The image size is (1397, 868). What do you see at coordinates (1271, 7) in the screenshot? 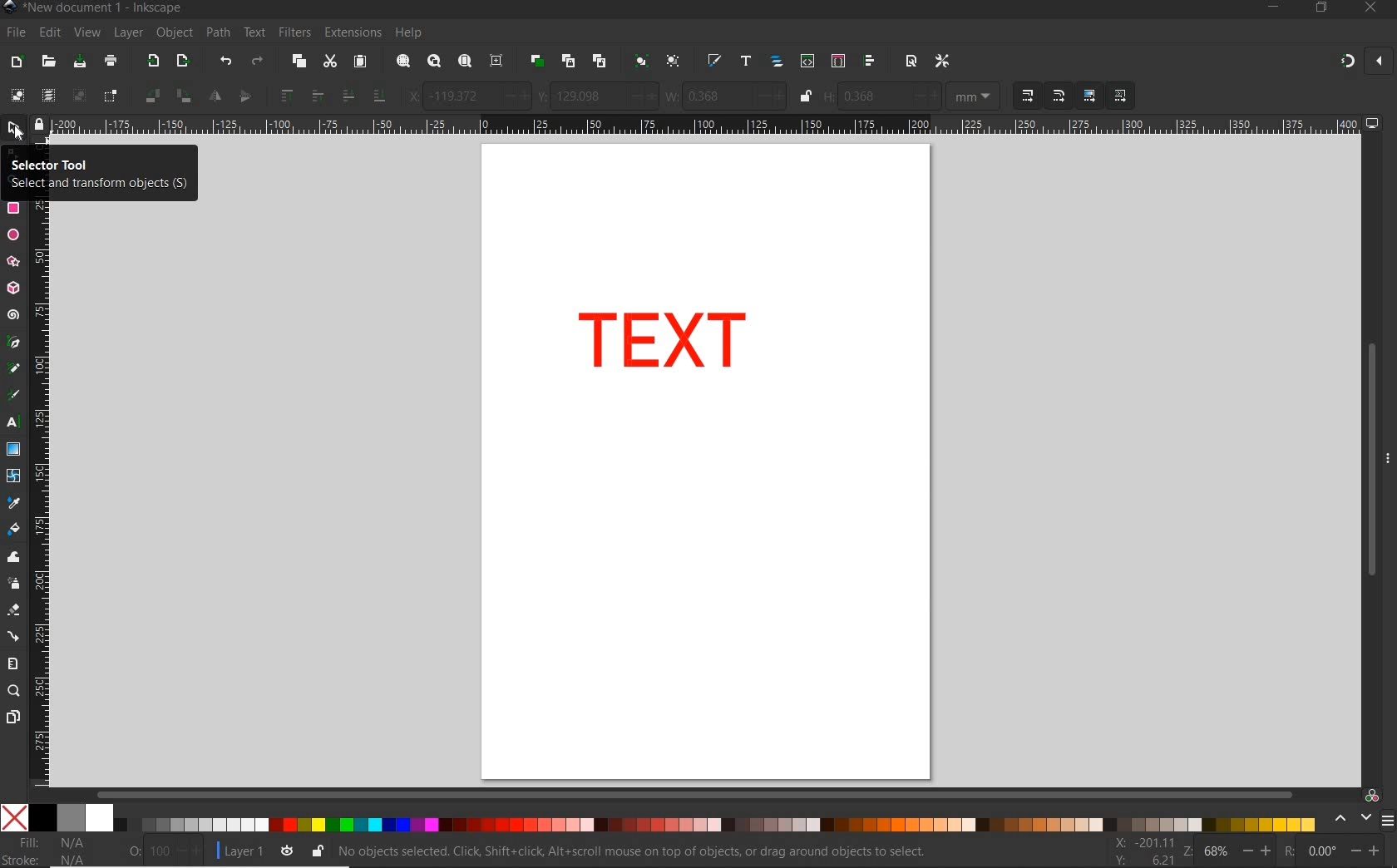
I see `MINIMIZE` at bounding box center [1271, 7].